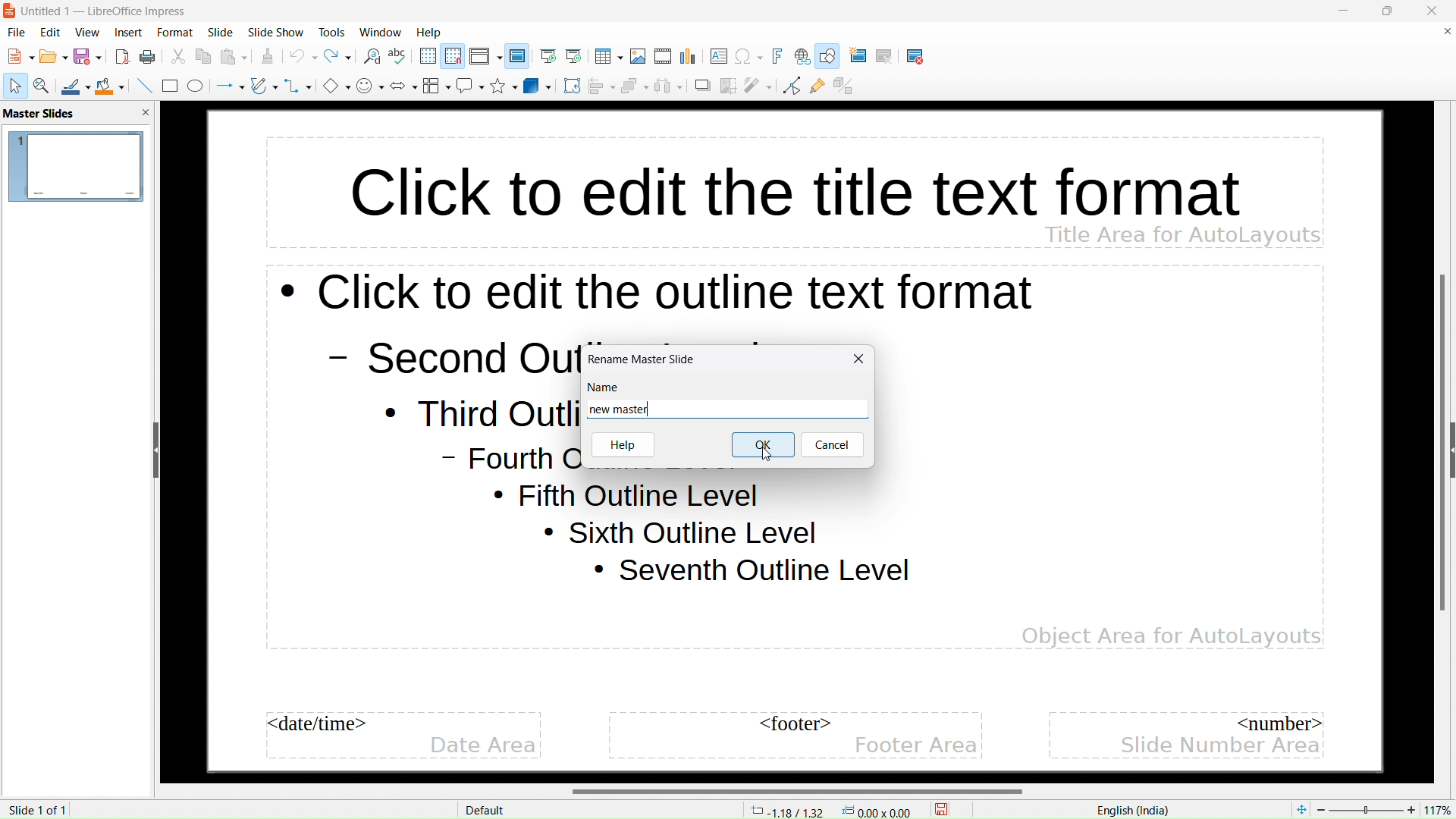 Image resolution: width=1456 pixels, height=819 pixels. I want to click on insert textbox, so click(720, 56).